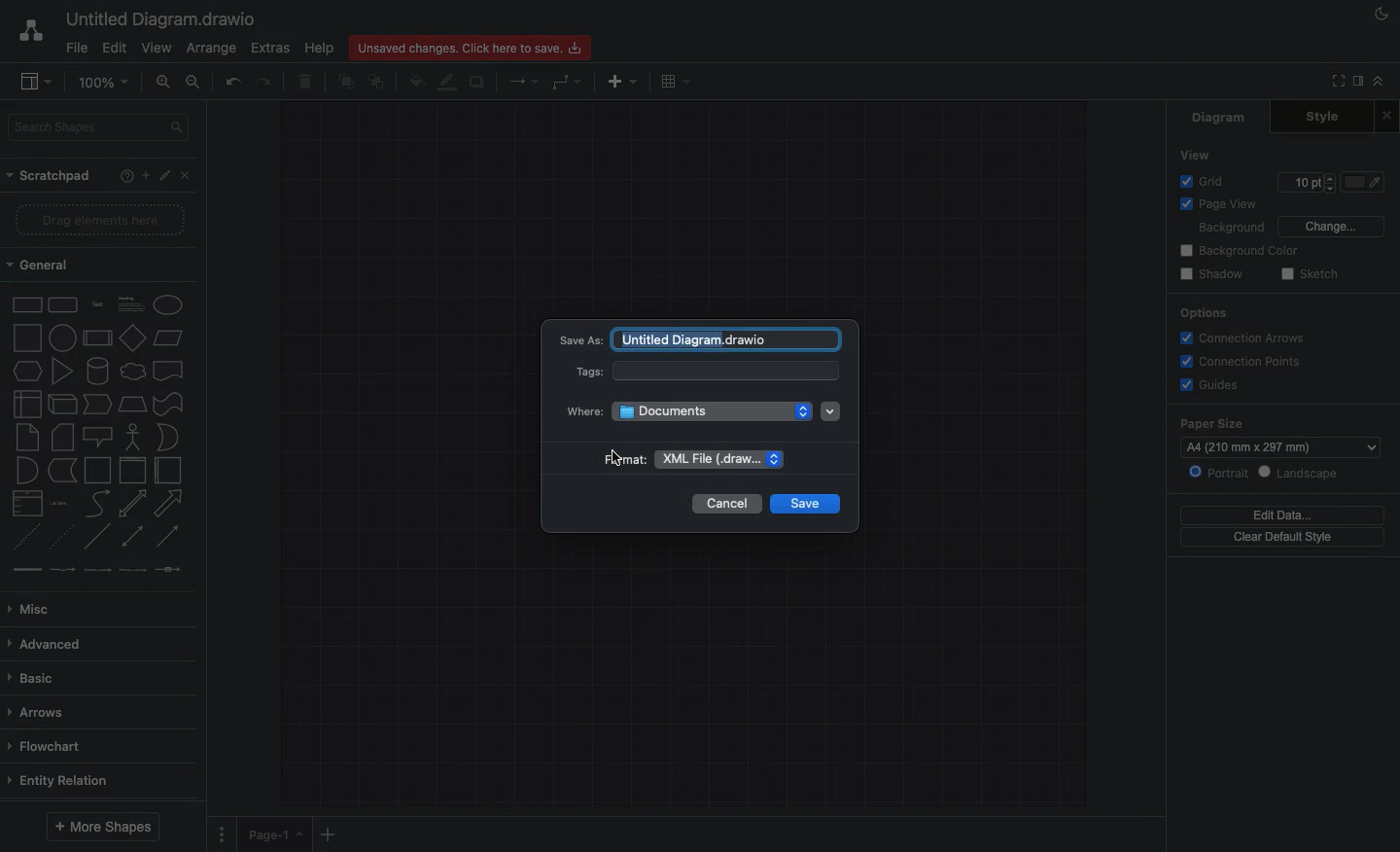 The height and width of the screenshot is (852, 1400). I want to click on Fullscreen, so click(1335, 83).